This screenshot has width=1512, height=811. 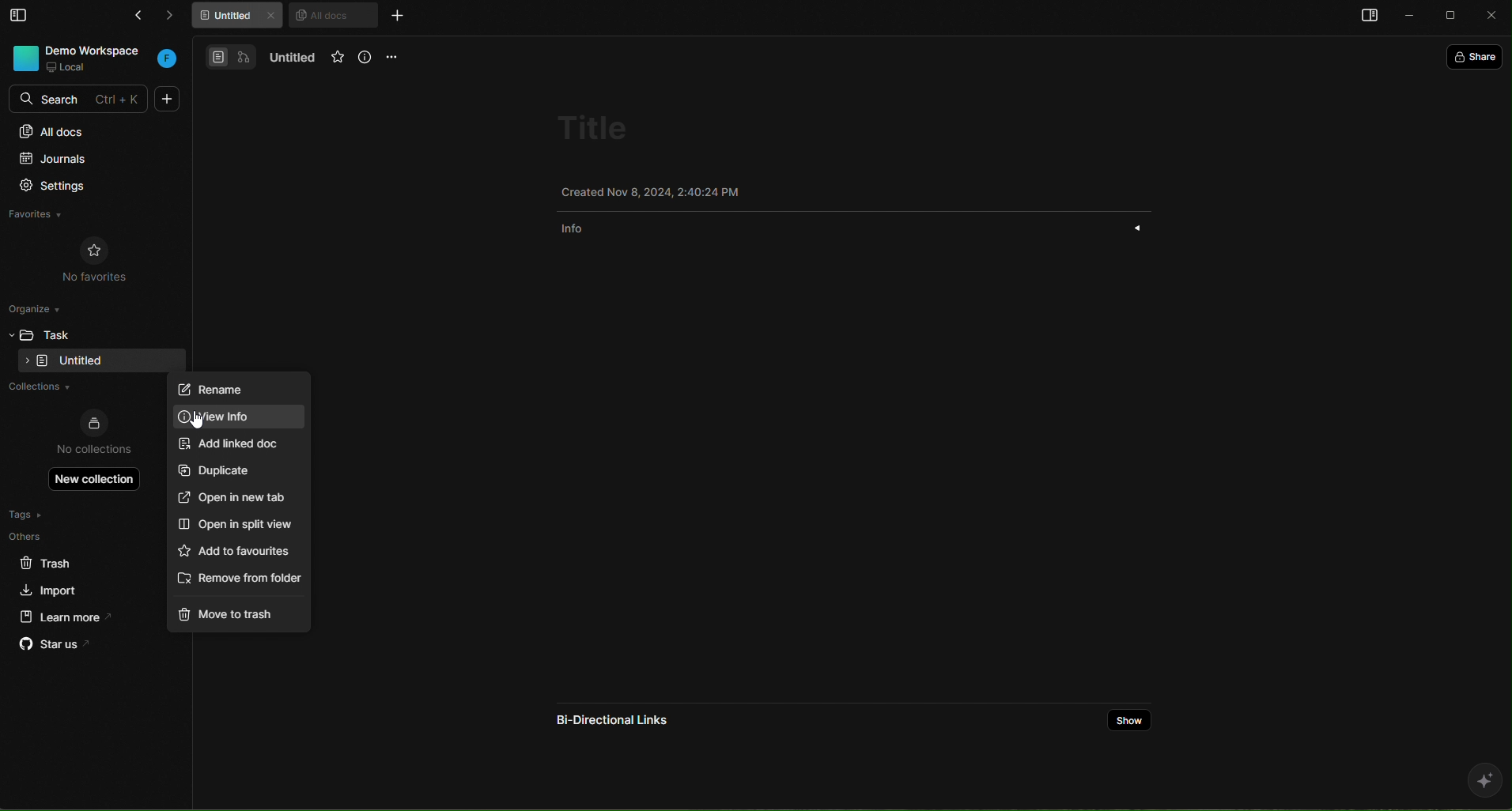 What do you see at coordinates (195, 421) in the screenshot?
I see `cursor` at bounding box center [195, 421].